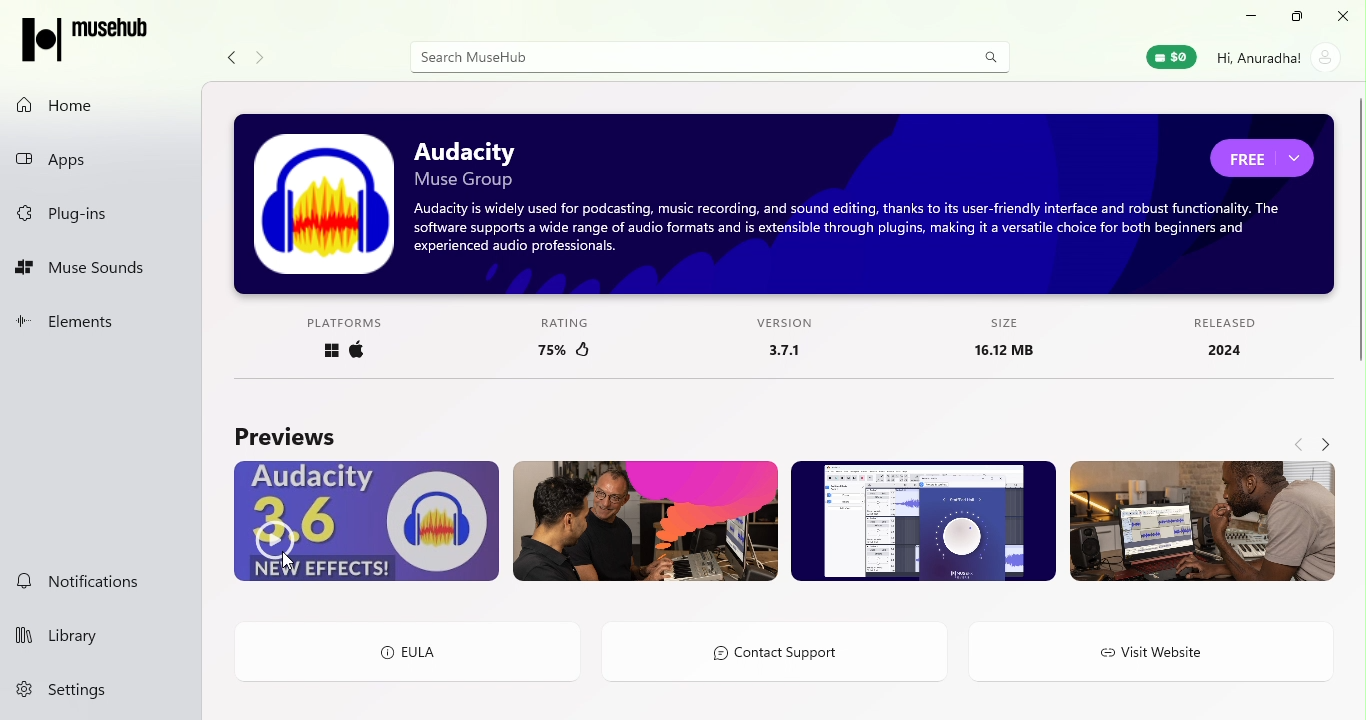 The image size is (1366, 720). Describe the element at coordinates (96, 695) in the screenshot. I see `Settings` at that location.